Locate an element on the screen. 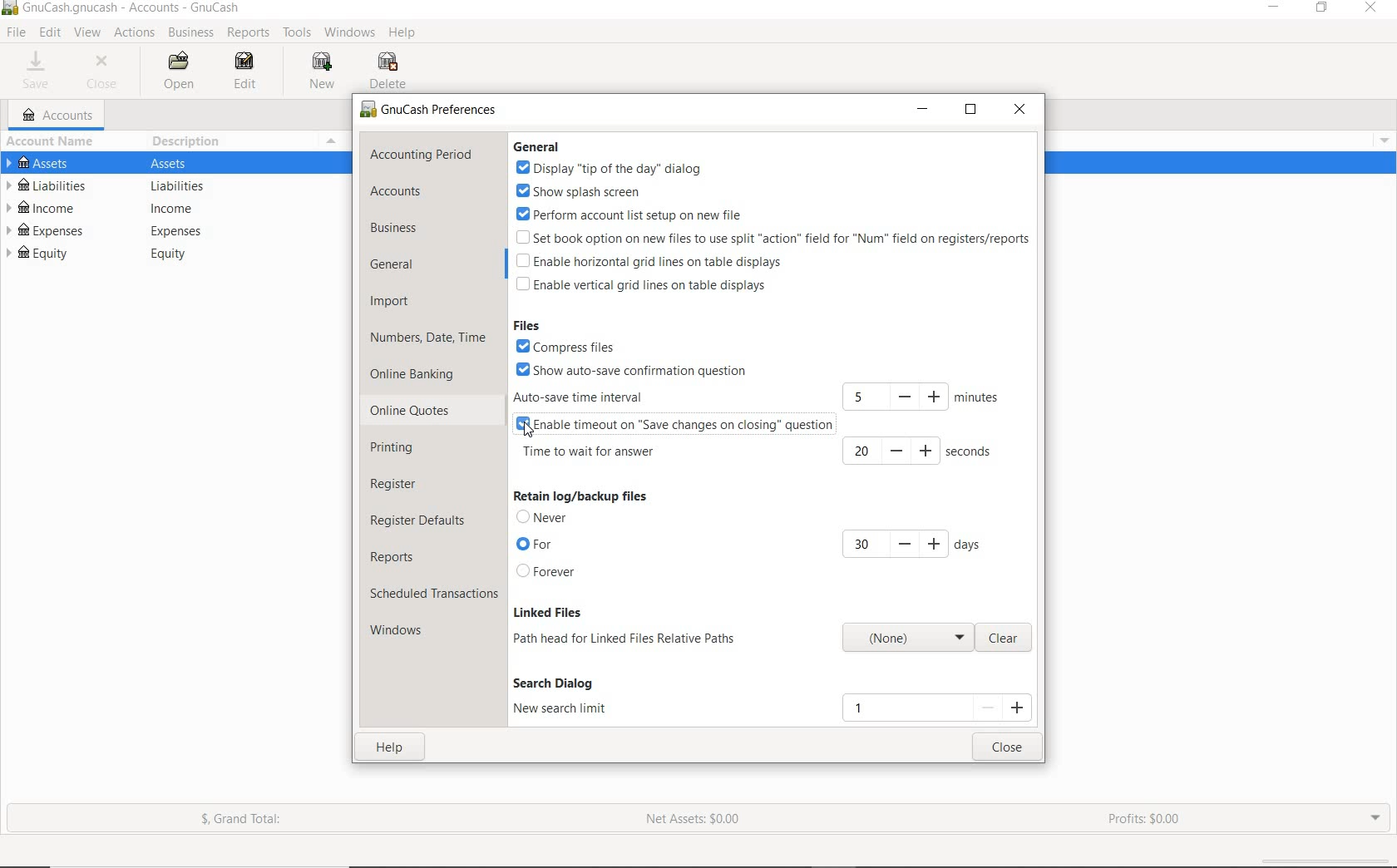 The image size is (1397, 868). RESTORE DOWN is located at coordinates (970, 111).